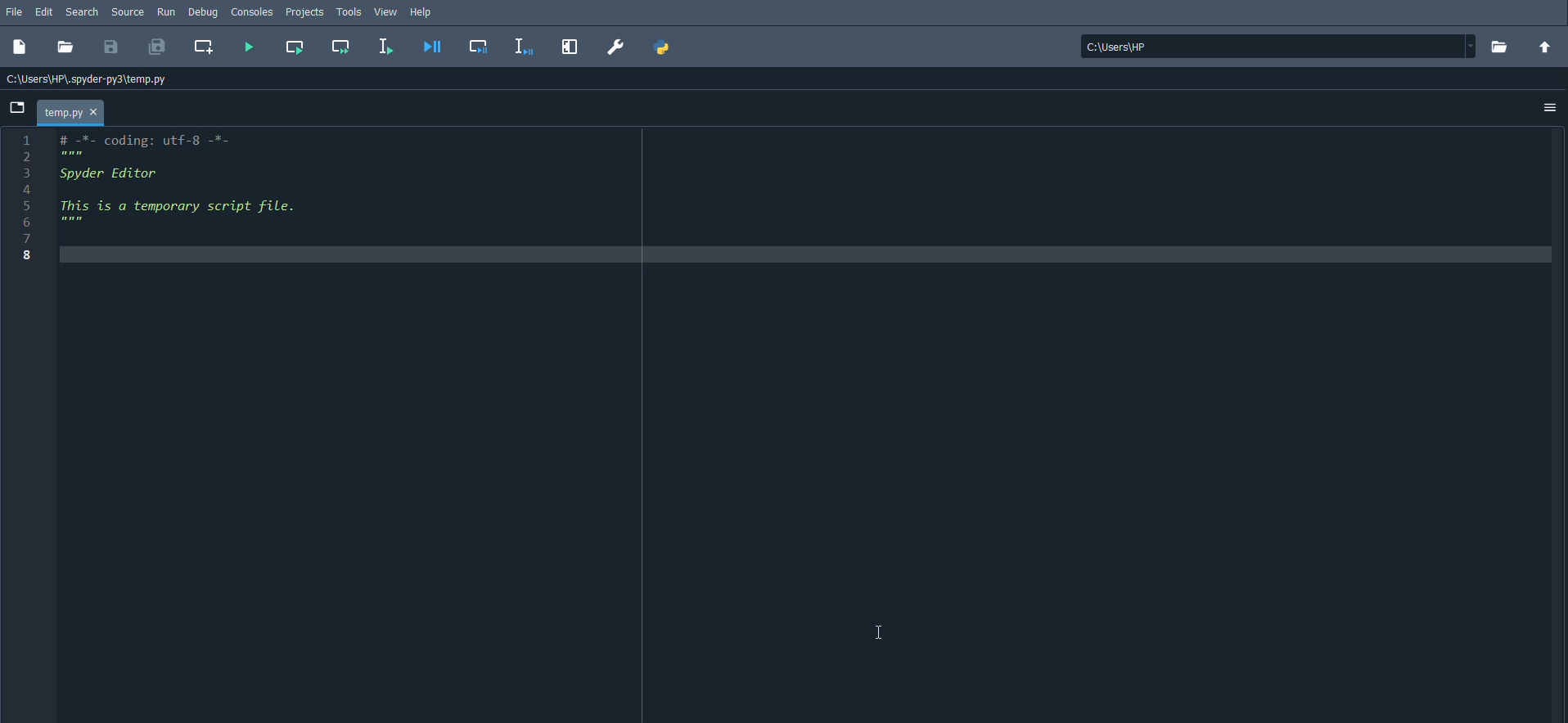 The height and width of the screenshot is (723, 1568). What do you see at coordinates (295, 46) in the screenshot?
I see `Run current cell` at bounding box center [295, 46].